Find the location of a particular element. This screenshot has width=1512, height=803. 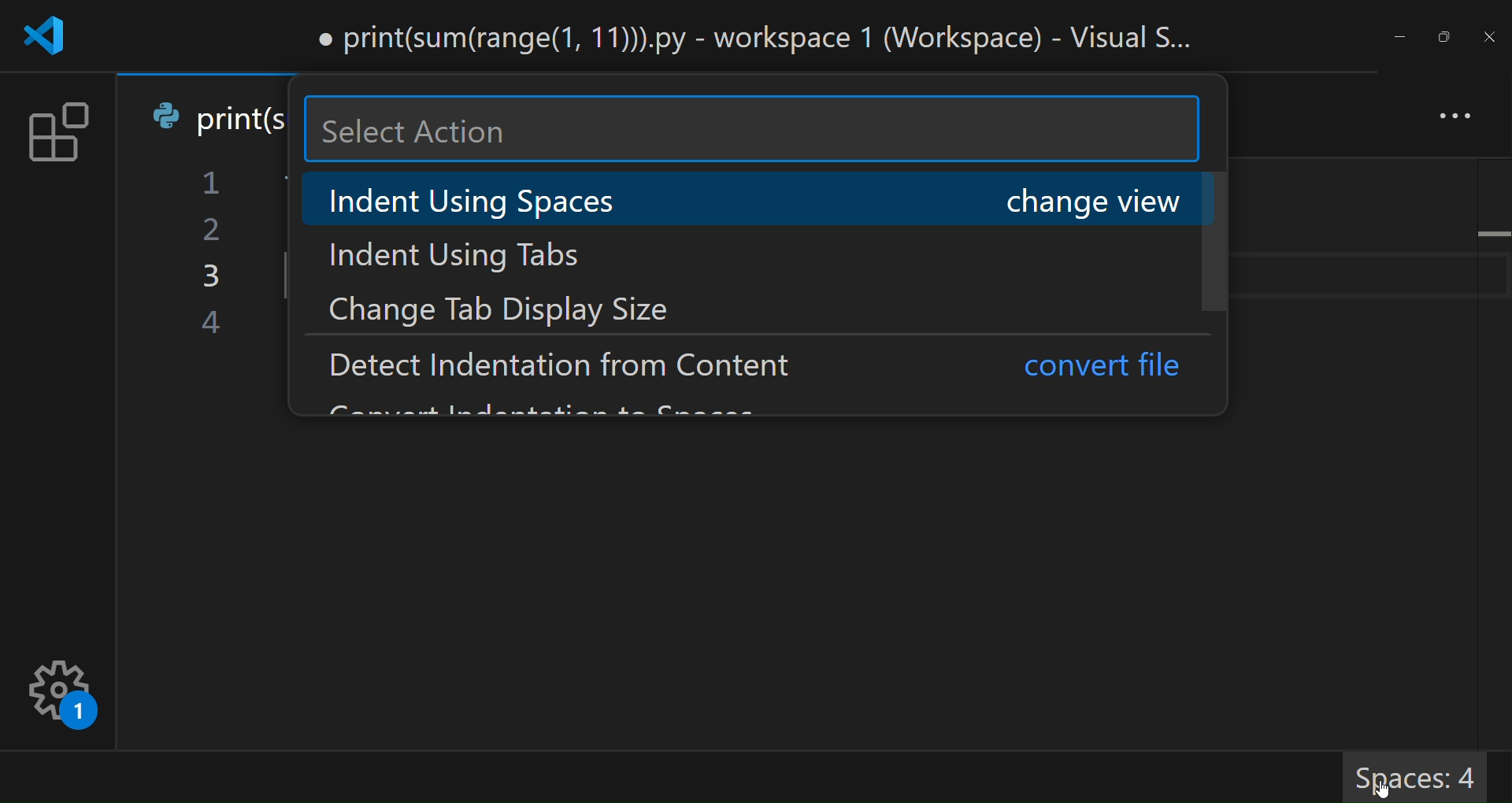

tab name is located at coordinates (217, 117).